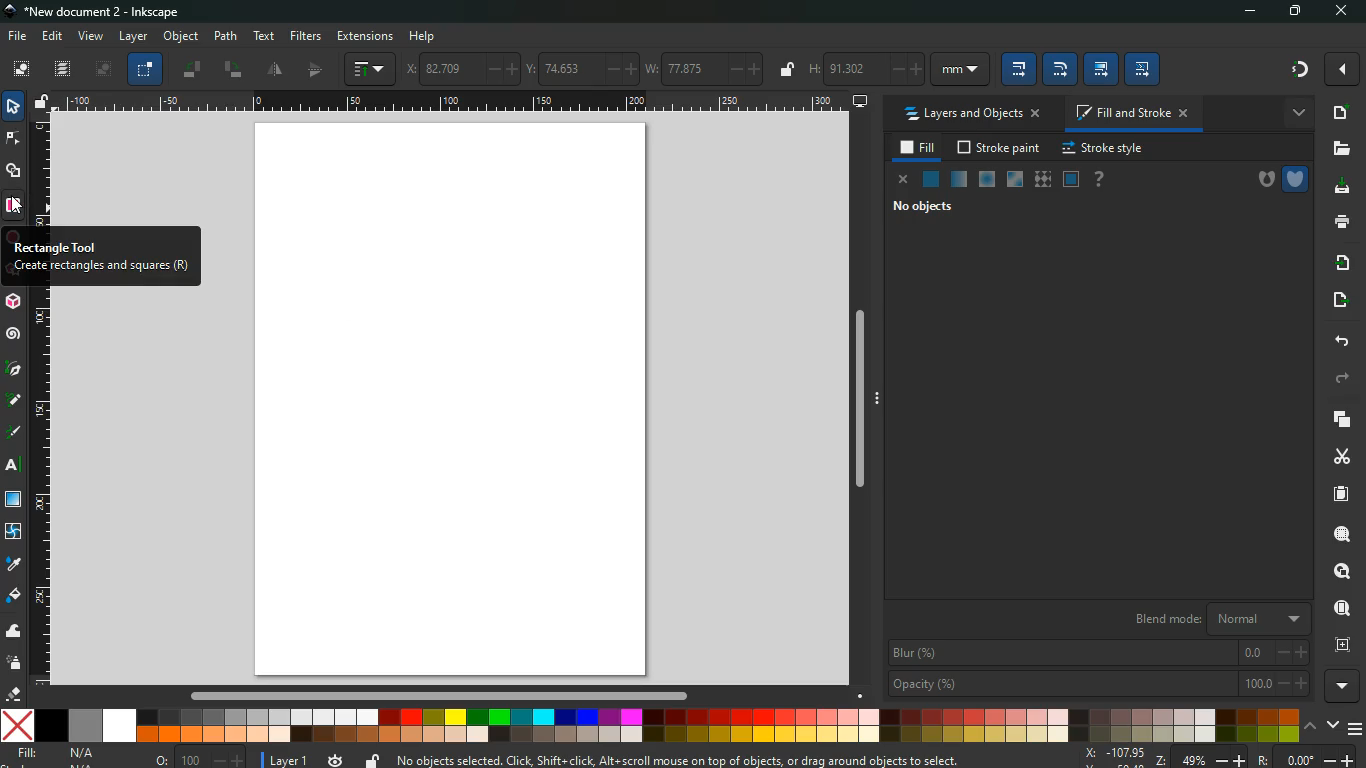  I want to click on lokk, so click(1340, 569).